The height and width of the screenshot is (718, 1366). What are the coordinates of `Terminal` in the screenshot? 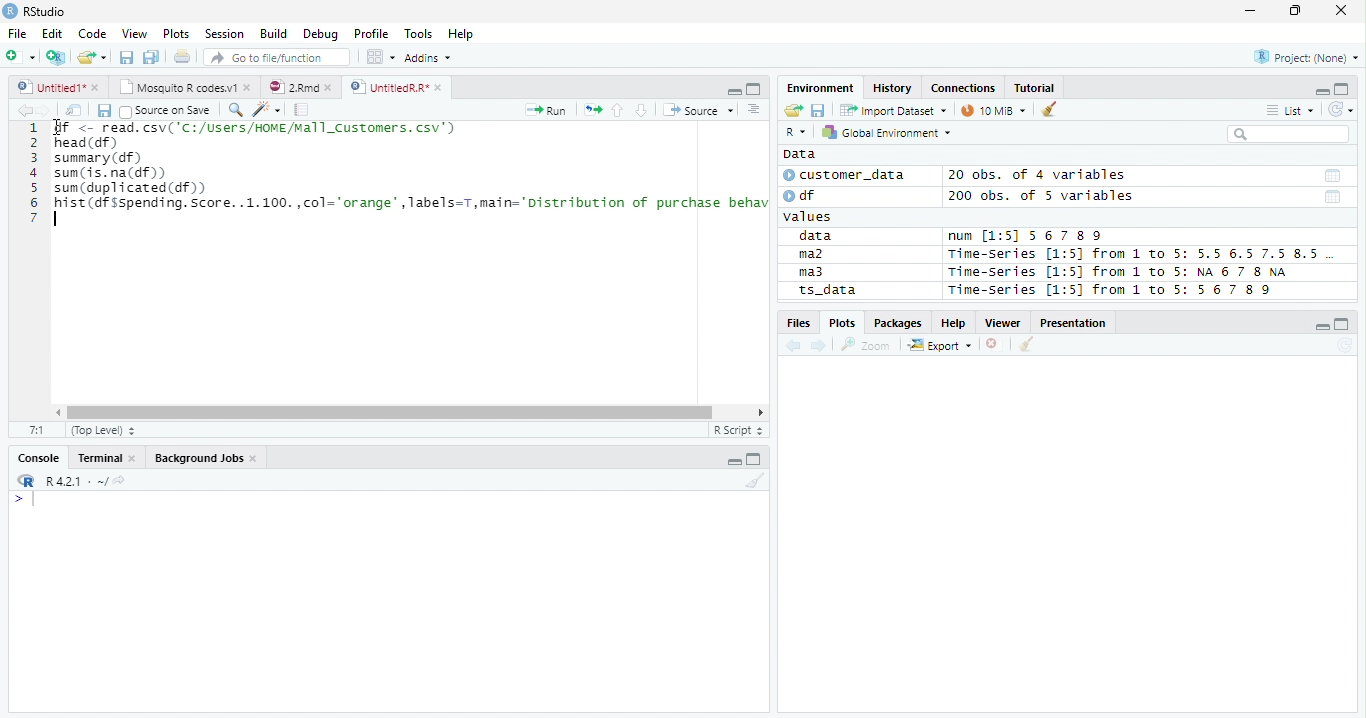 It's located at (106, 460).